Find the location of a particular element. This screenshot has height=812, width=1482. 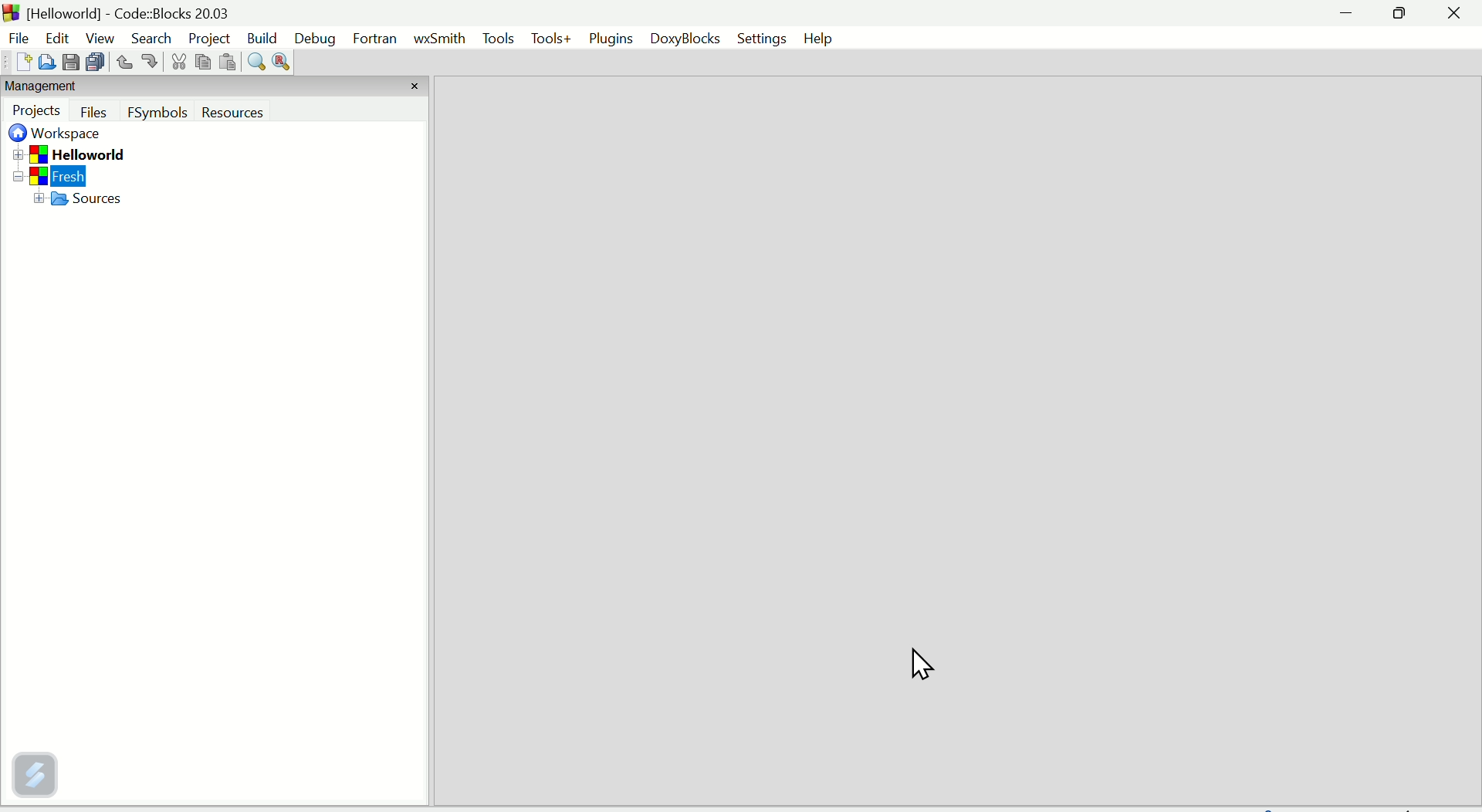

Maximise is located at coordinates (1402, 14).